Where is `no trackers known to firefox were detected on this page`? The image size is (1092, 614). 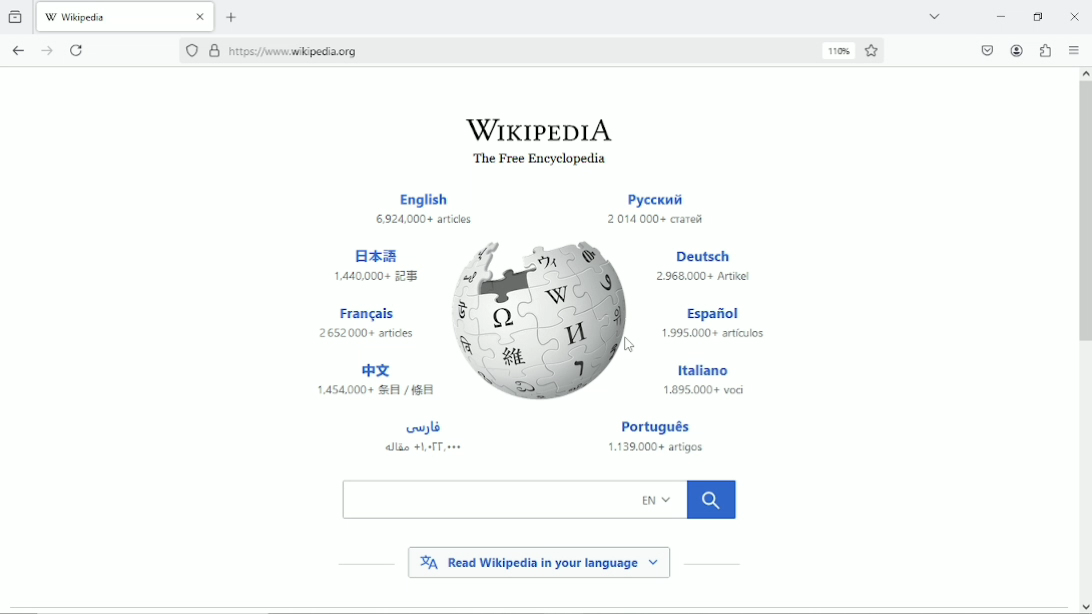
no trackers known to firefox were detected on this page is located at coordinates (191, 50).